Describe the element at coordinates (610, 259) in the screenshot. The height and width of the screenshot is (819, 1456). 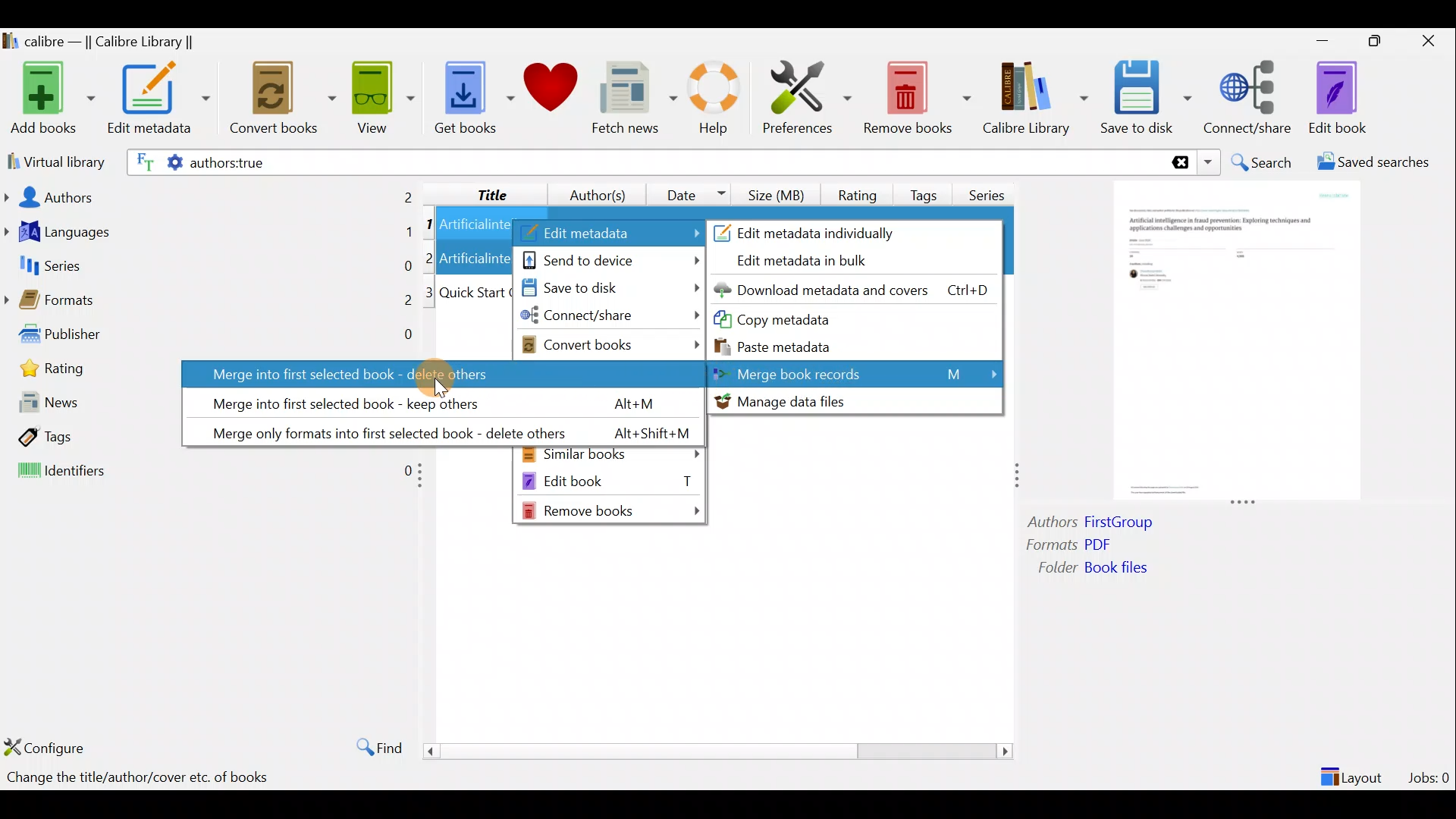
I see `Send to device` at that location.